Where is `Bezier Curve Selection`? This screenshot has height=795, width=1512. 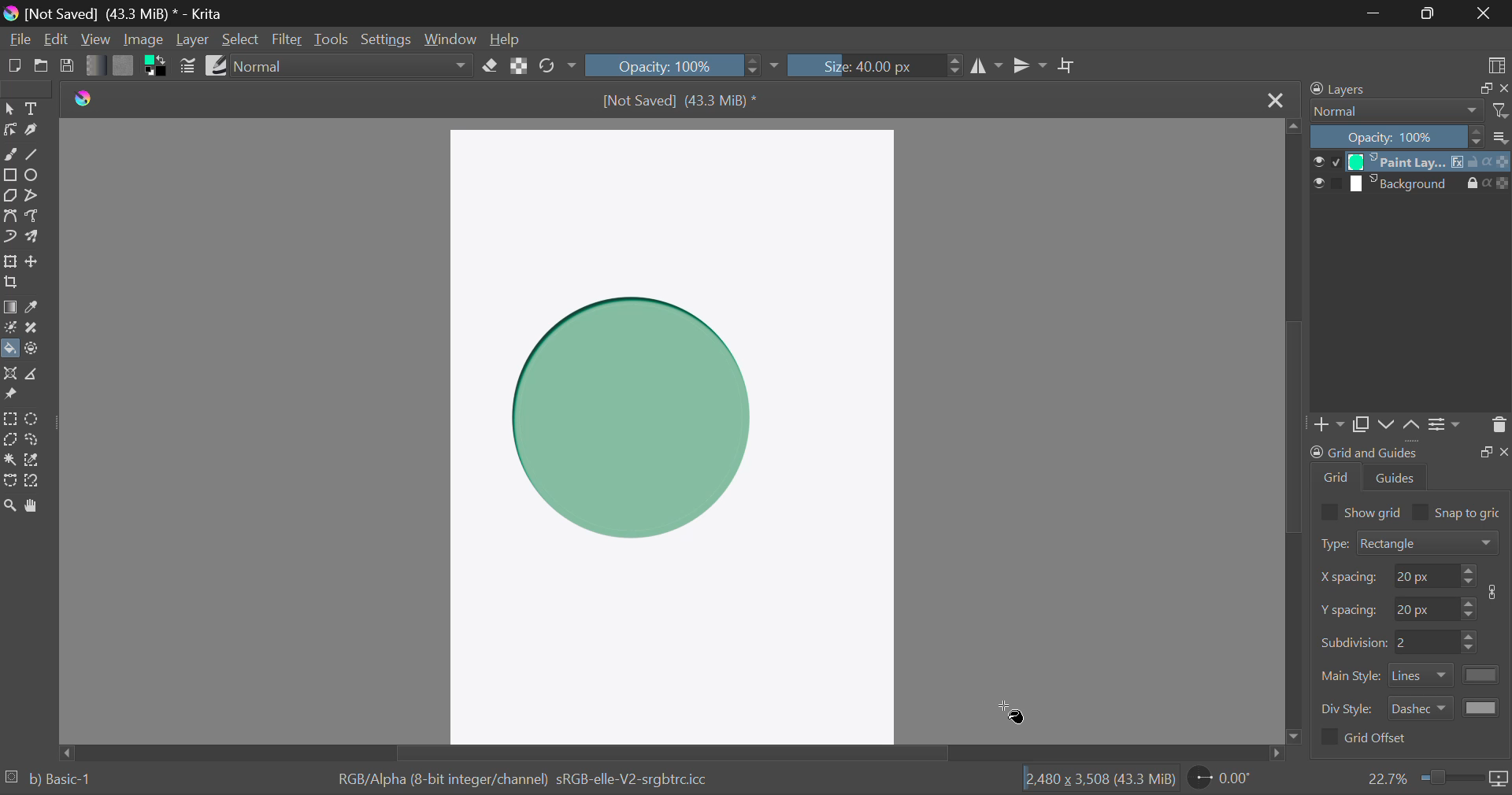
Bezier Curve Selection is located at coordinates (9, 482).